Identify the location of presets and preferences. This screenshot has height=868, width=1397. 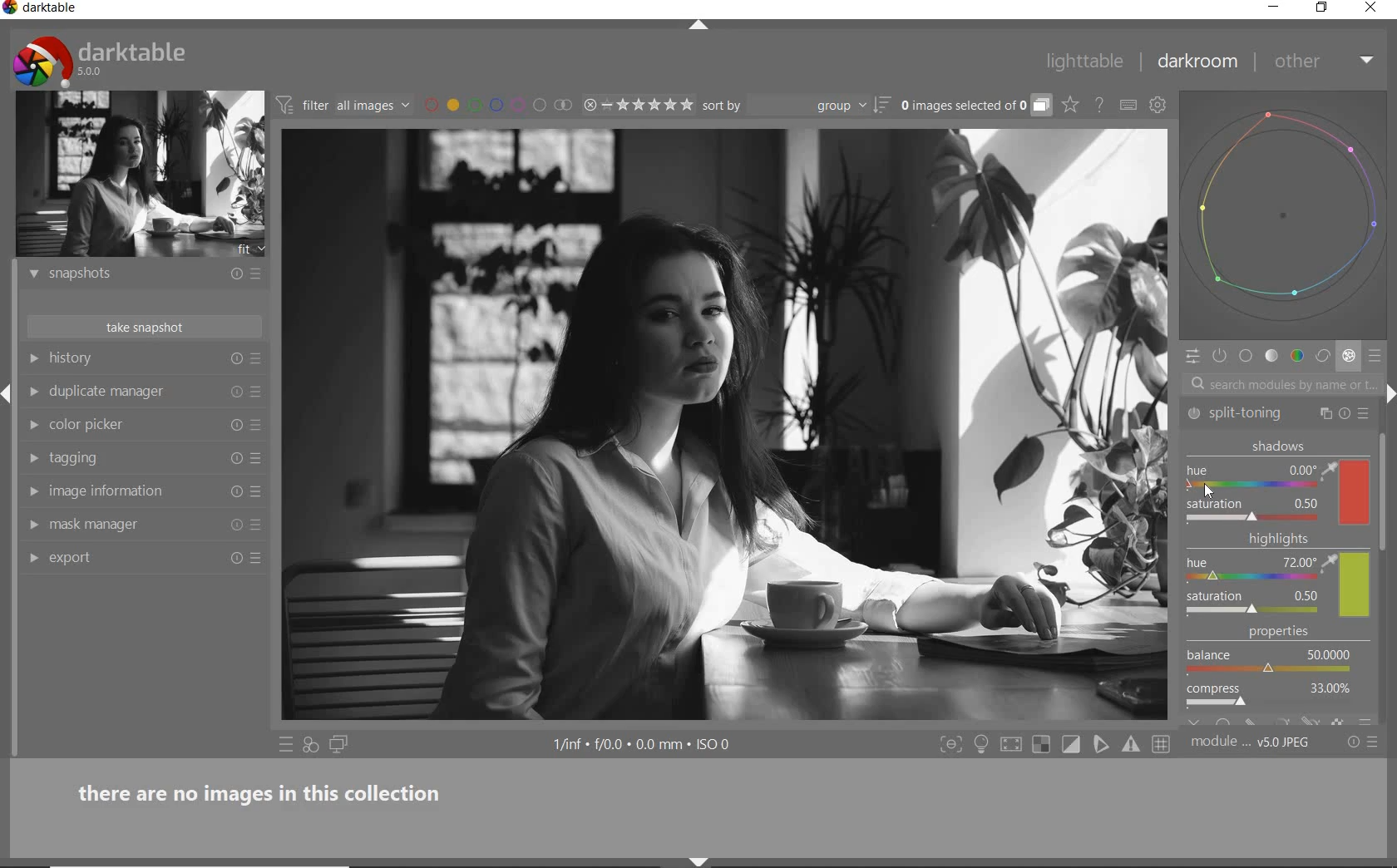
(255, 274).